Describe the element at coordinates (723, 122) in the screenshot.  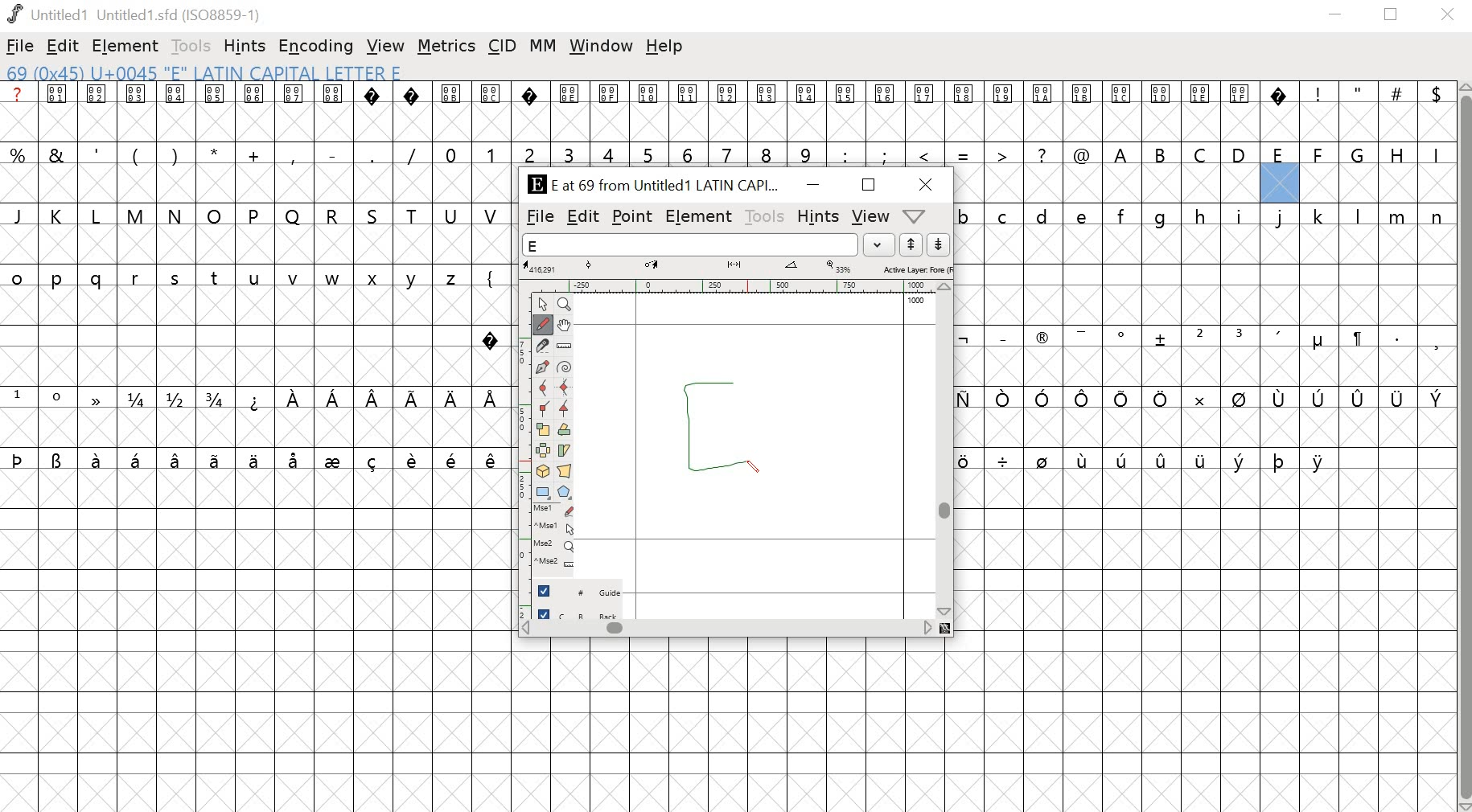
I see `empty cells` at that location.